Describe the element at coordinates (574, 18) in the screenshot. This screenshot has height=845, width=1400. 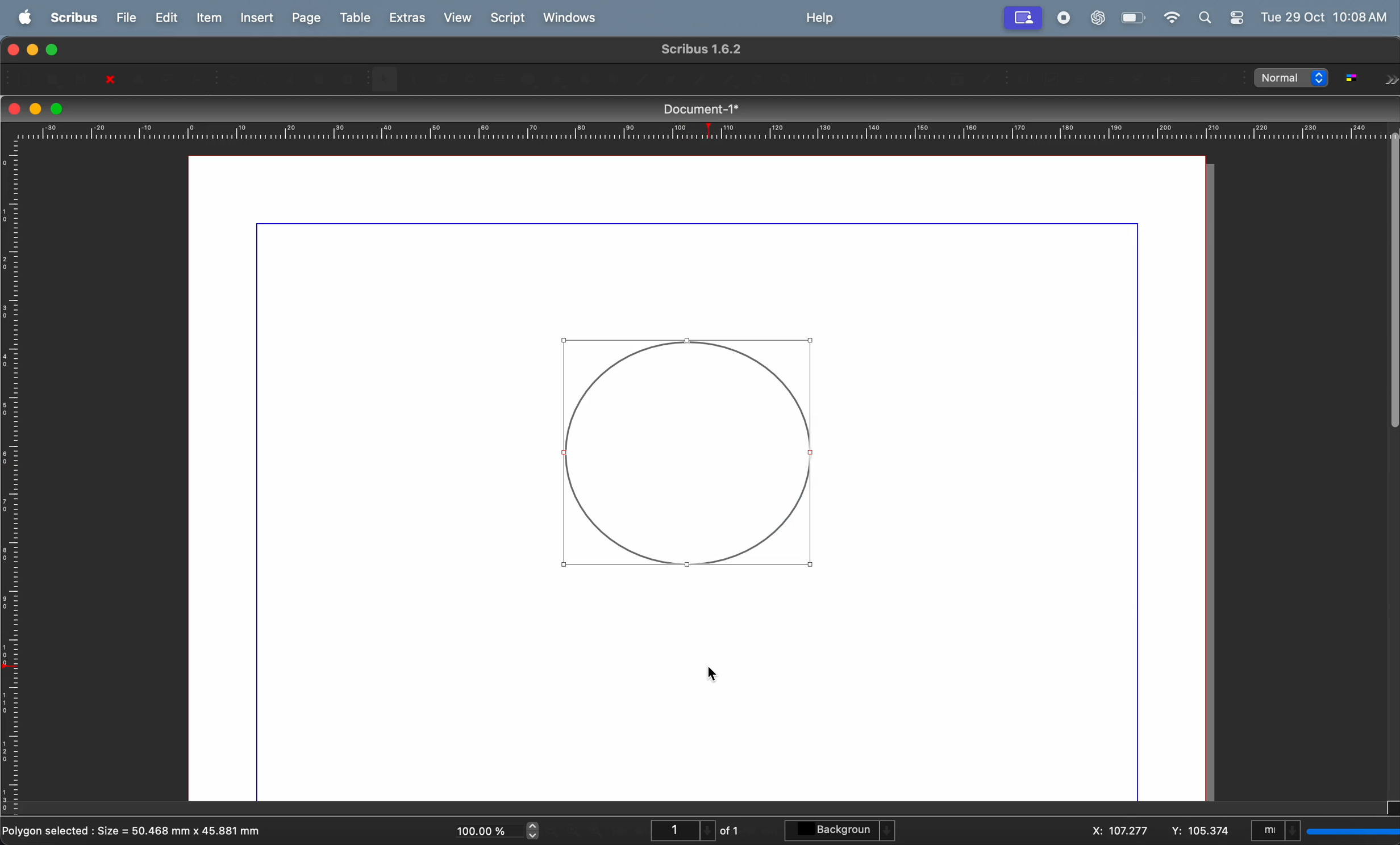
I see `windows` at that location.